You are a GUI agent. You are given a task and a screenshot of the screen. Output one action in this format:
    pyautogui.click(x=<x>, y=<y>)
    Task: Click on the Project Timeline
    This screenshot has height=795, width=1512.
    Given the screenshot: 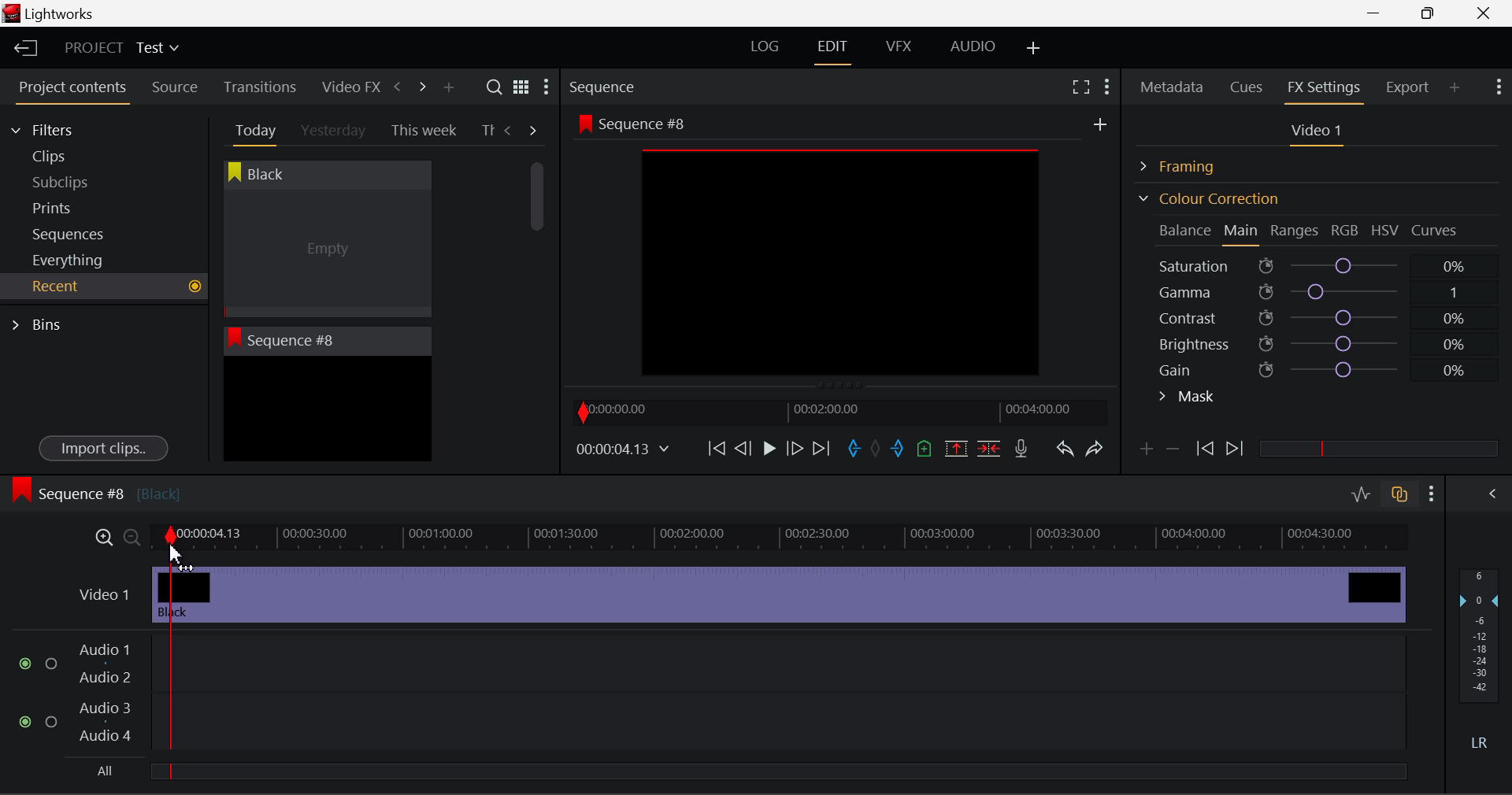 What is the action you would take?
    pyautogui.click(x=780, y=538)
    